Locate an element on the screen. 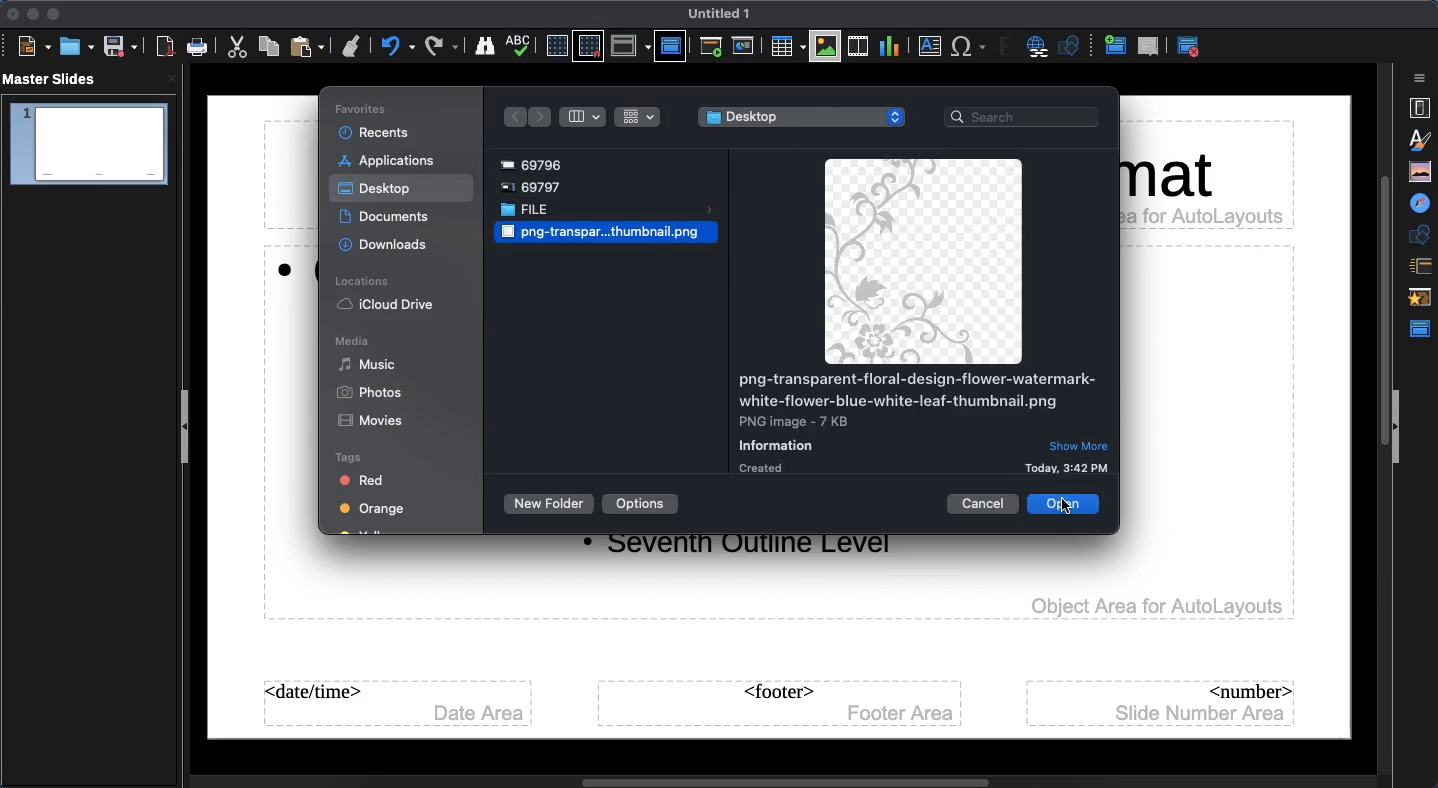 The width and height of the screenshot is (1438, 788). Display view is located at coordinates (630, 46).